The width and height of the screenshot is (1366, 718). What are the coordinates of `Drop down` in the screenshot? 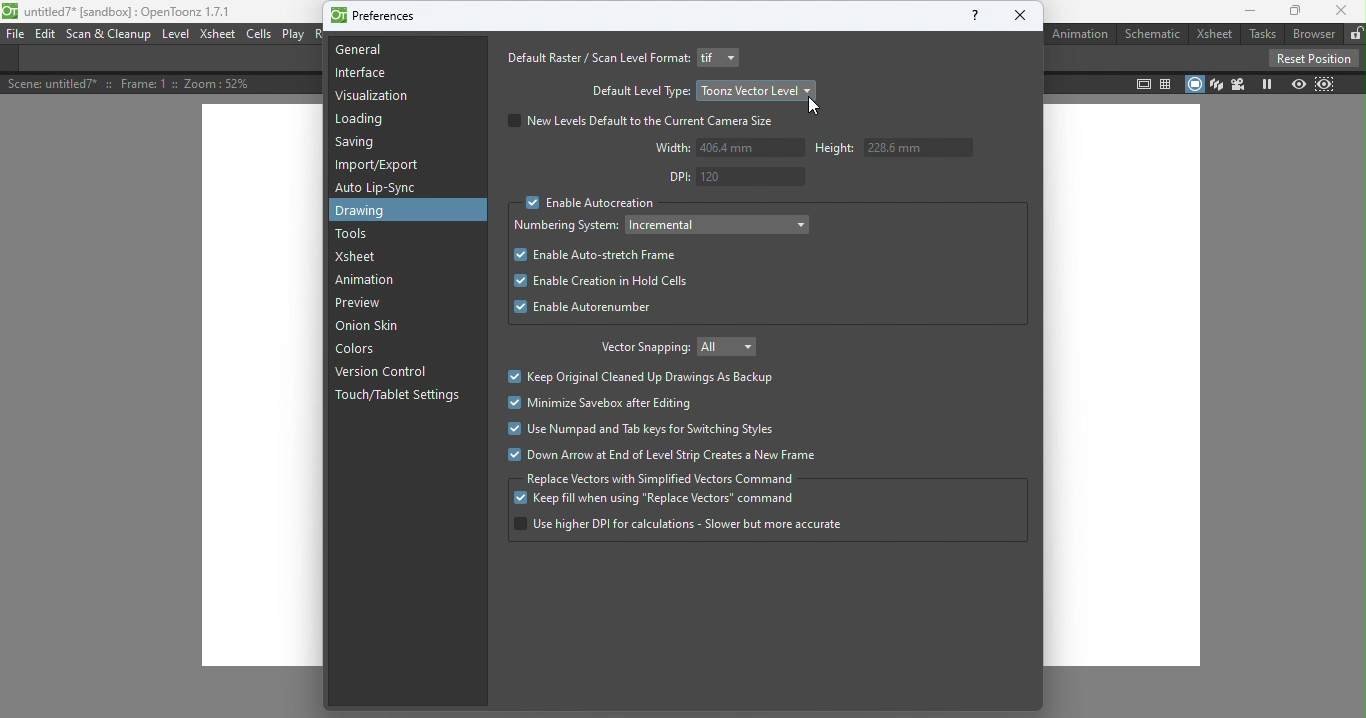 It's located at (718, 223).